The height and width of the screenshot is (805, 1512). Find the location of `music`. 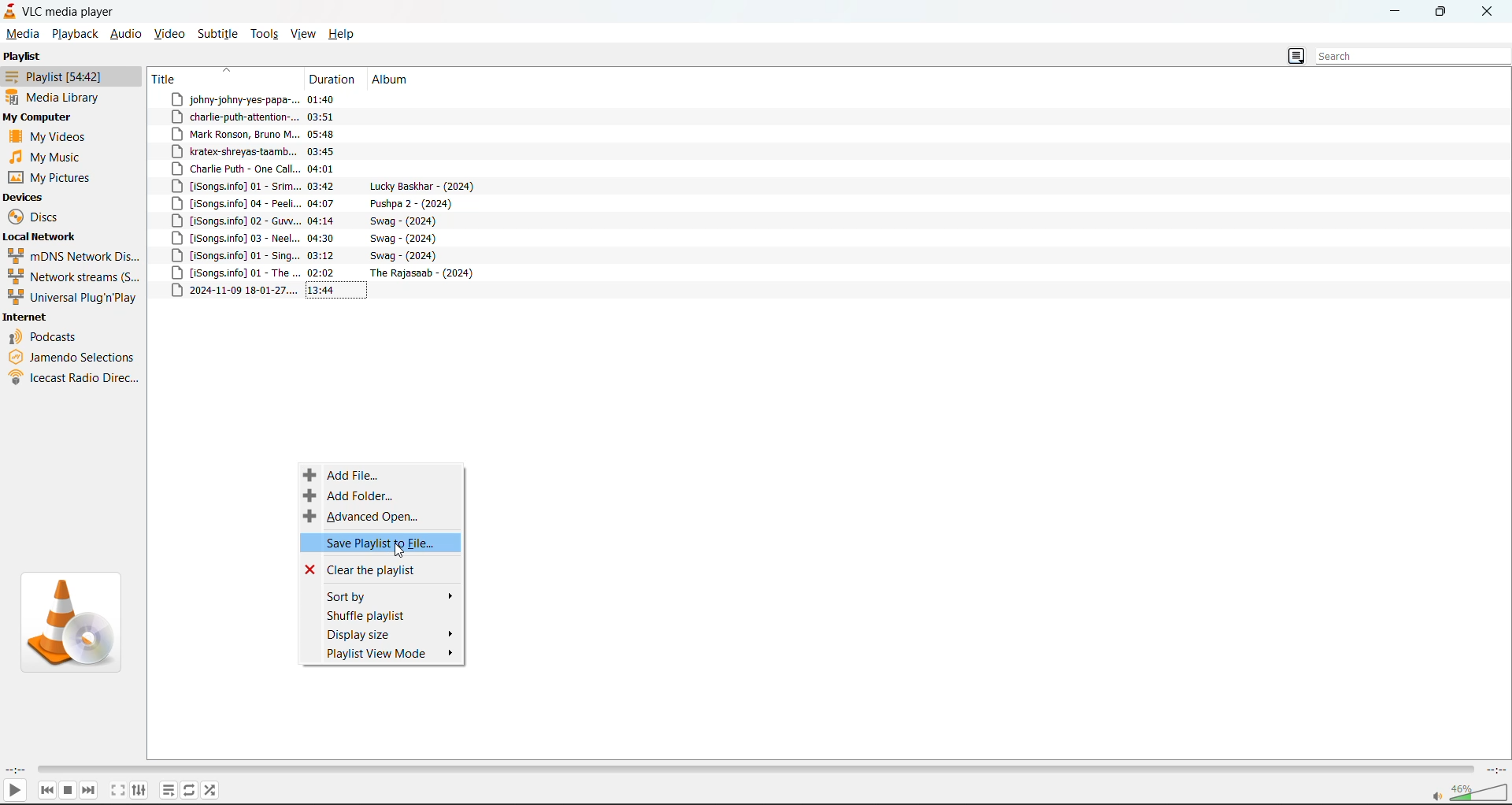

music is located at coordinates (43, 158).